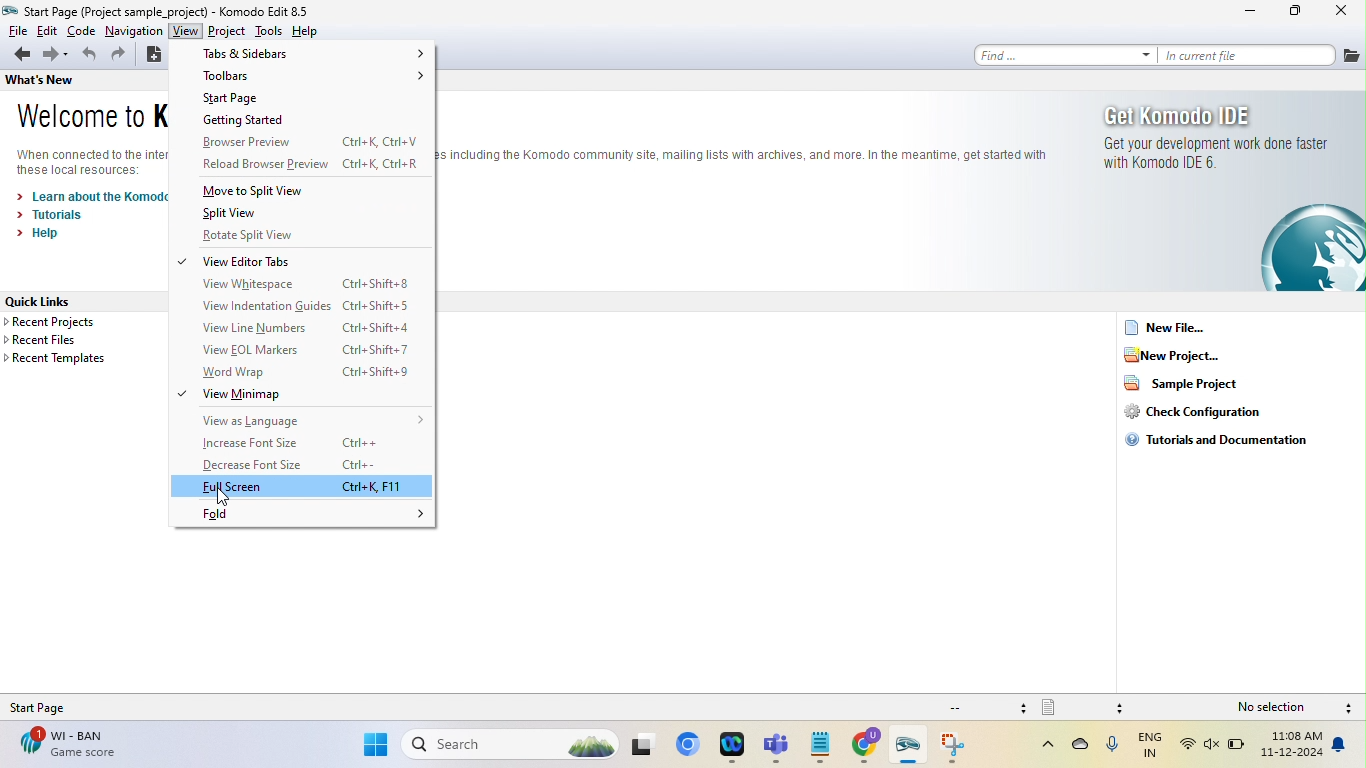  What do you see at coordinates (1170, 327) in the screenshot?
I see `new file` at bounding box center [1170, 327].